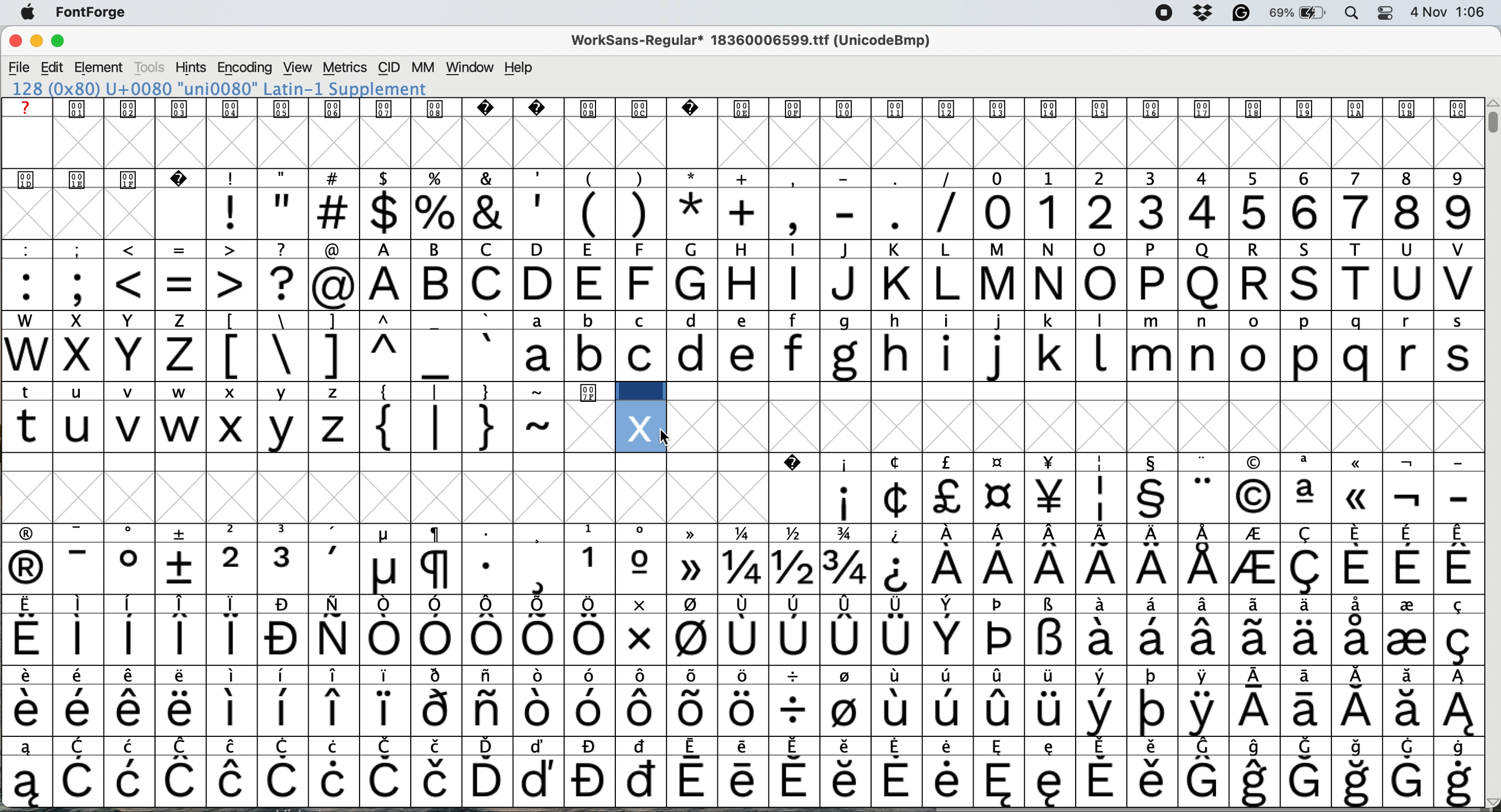  What do you see at coordinates (220, 89) in the screenshot?
I see `120 (0x78) U+0078 "x" LATIN SMALL LETTER X` at bounding box center [220, 89].